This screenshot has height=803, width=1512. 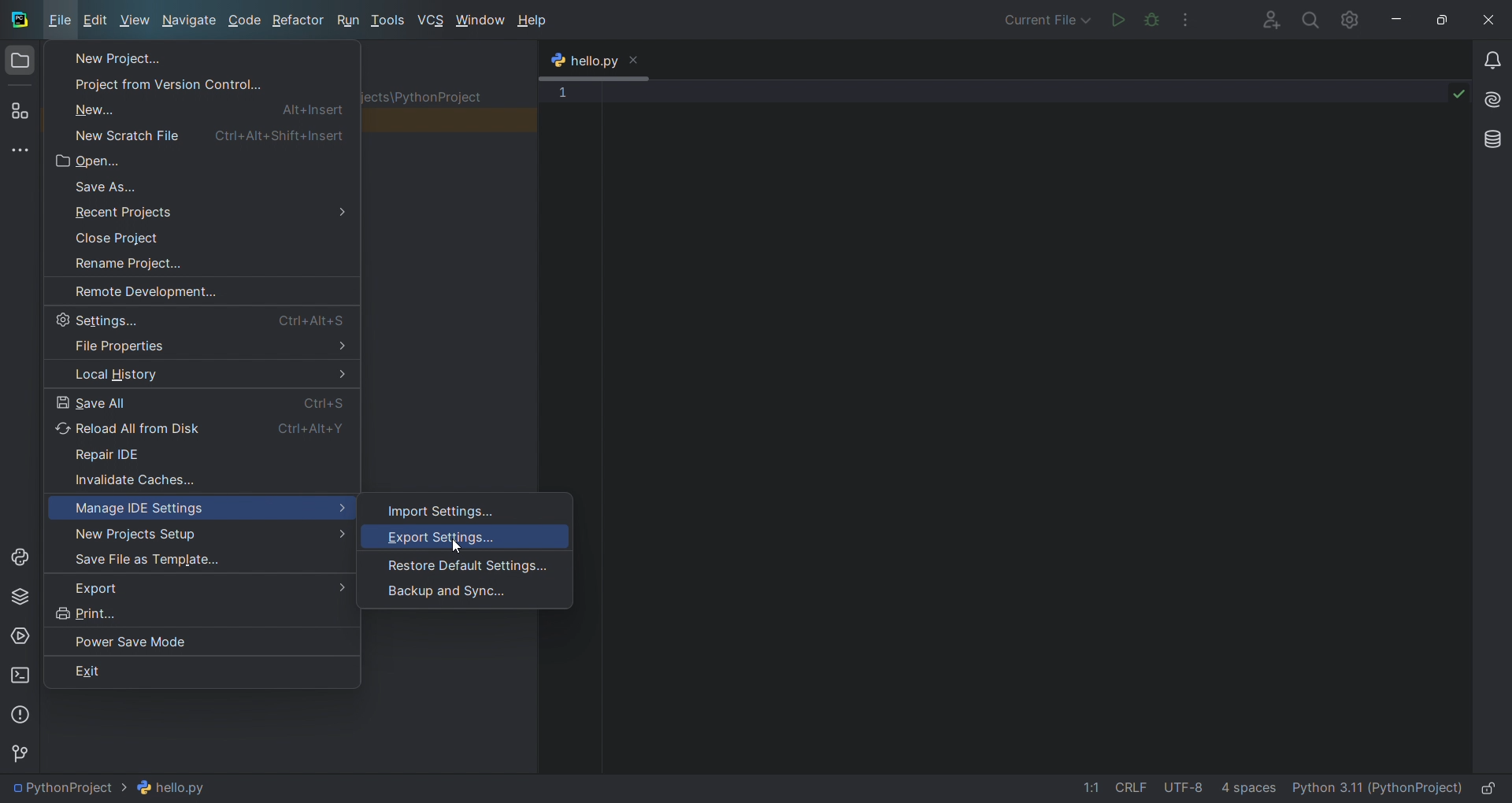 What do you see at coordinates (199, 288) in the screenshot?
I see `remote development` at bounding box center [199, 288].